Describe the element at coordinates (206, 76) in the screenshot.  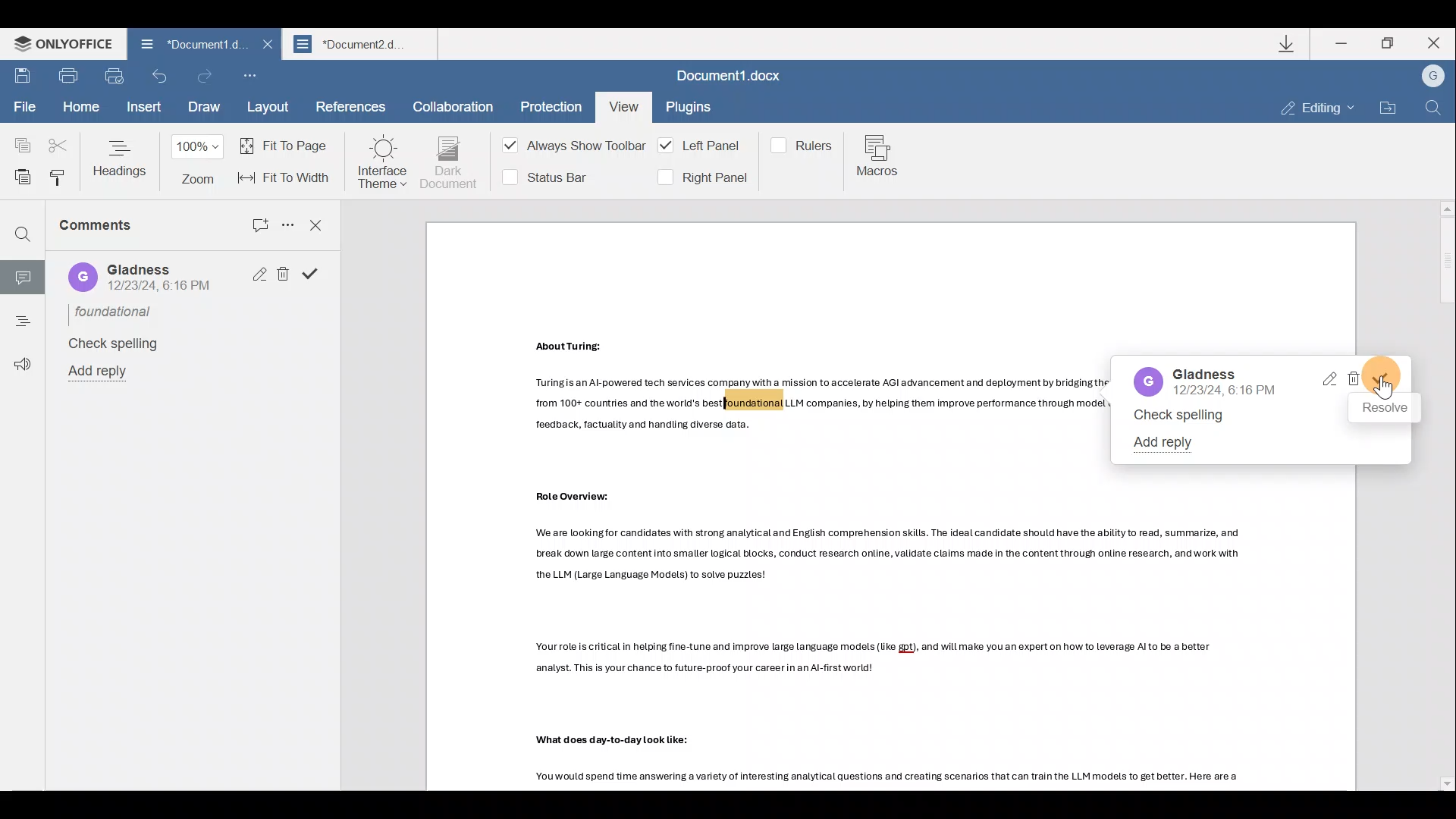
I see `Redo` at that location.